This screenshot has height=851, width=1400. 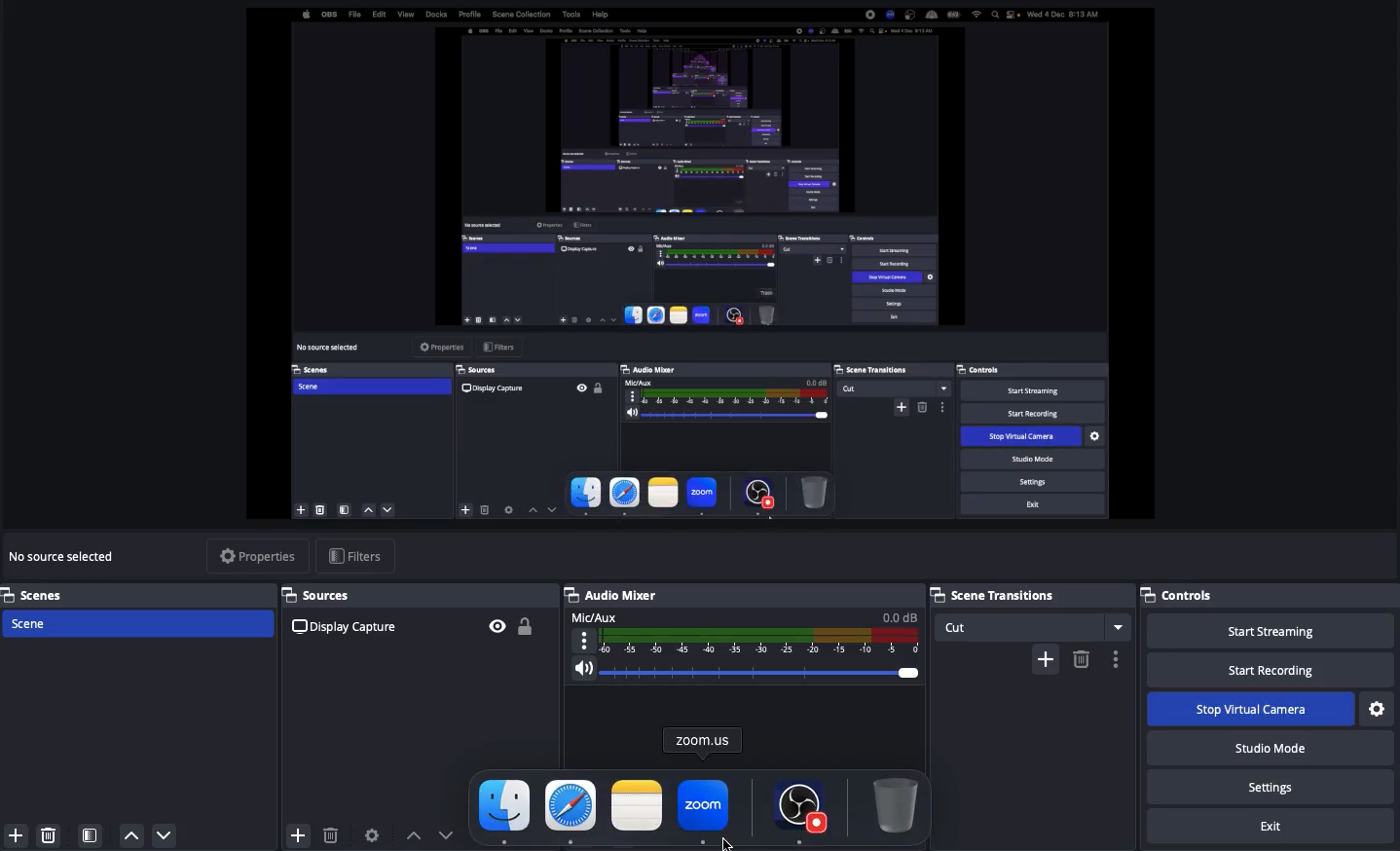 I want to click on Mic aux, so click(x=747, y=631).